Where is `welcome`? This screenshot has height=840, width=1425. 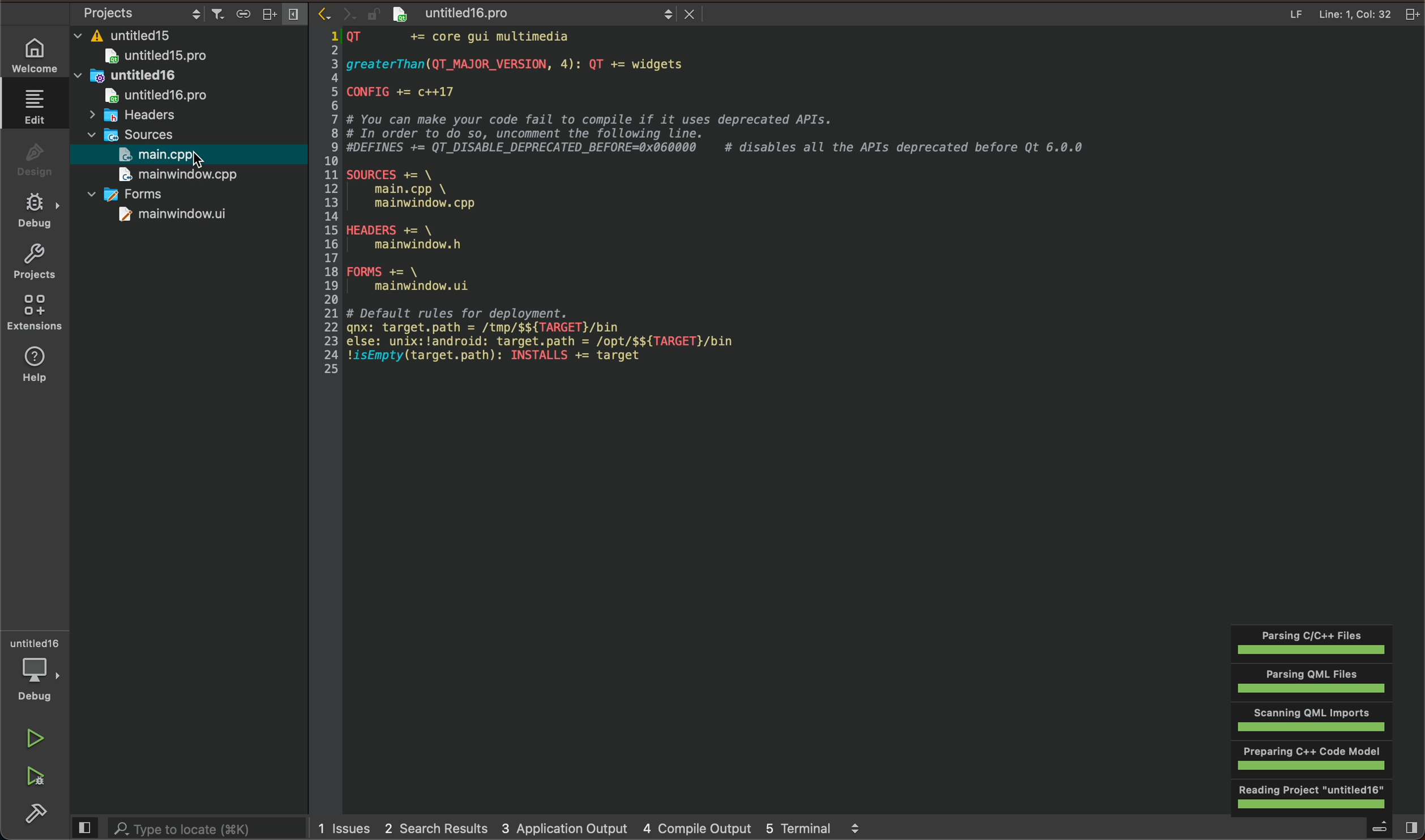 welcome is located at coordinates (38, 53).